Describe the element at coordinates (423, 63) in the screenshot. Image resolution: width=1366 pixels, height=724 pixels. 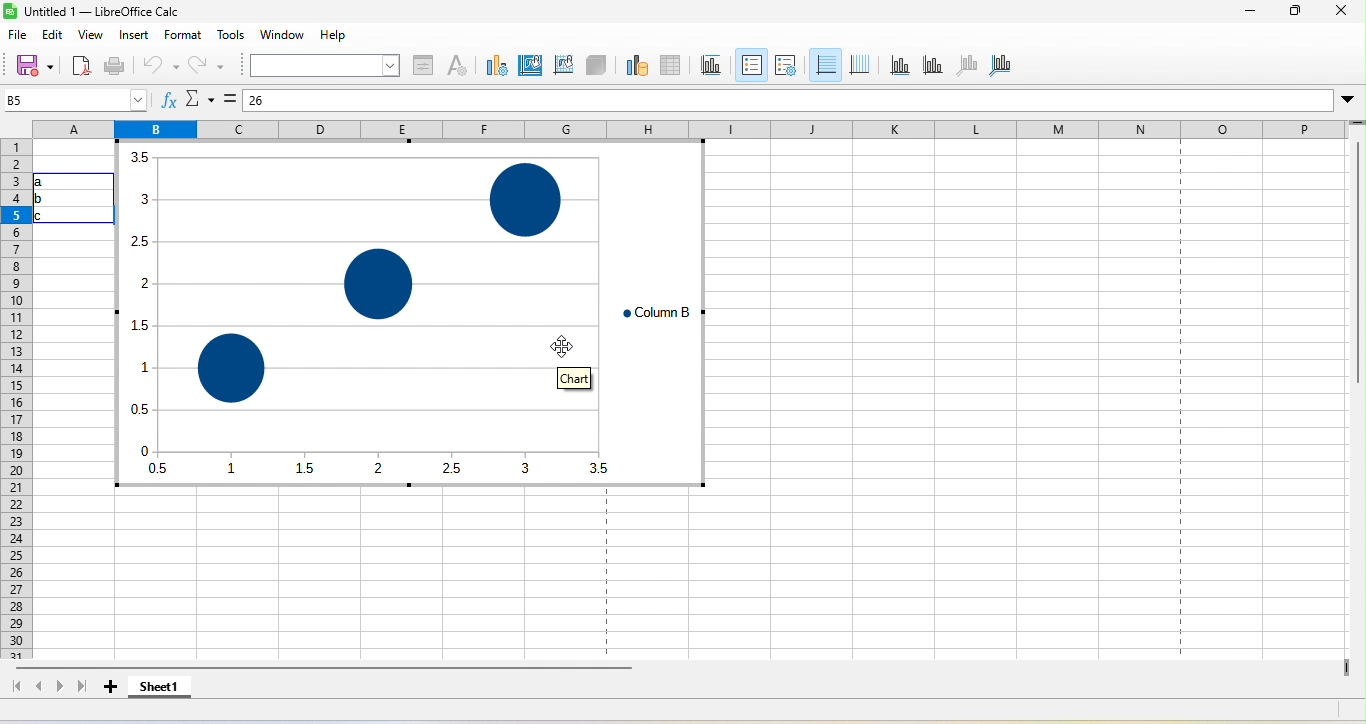
I see `format selection` at that location.